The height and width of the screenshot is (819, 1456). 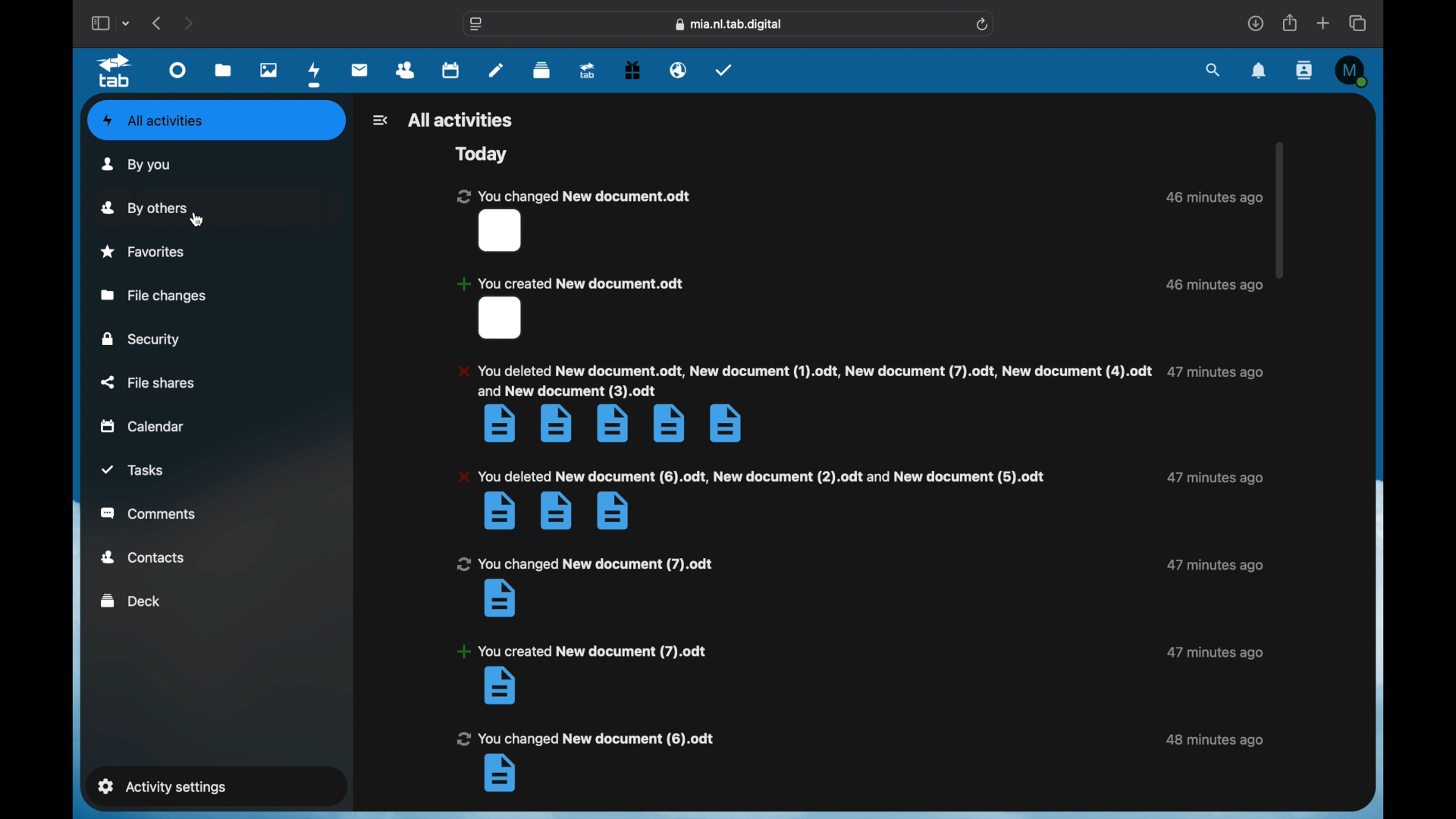 What do you see at coordinates (1259, 70) in the screenshot?
I see `notifications` at bounding box center [1259, 70].